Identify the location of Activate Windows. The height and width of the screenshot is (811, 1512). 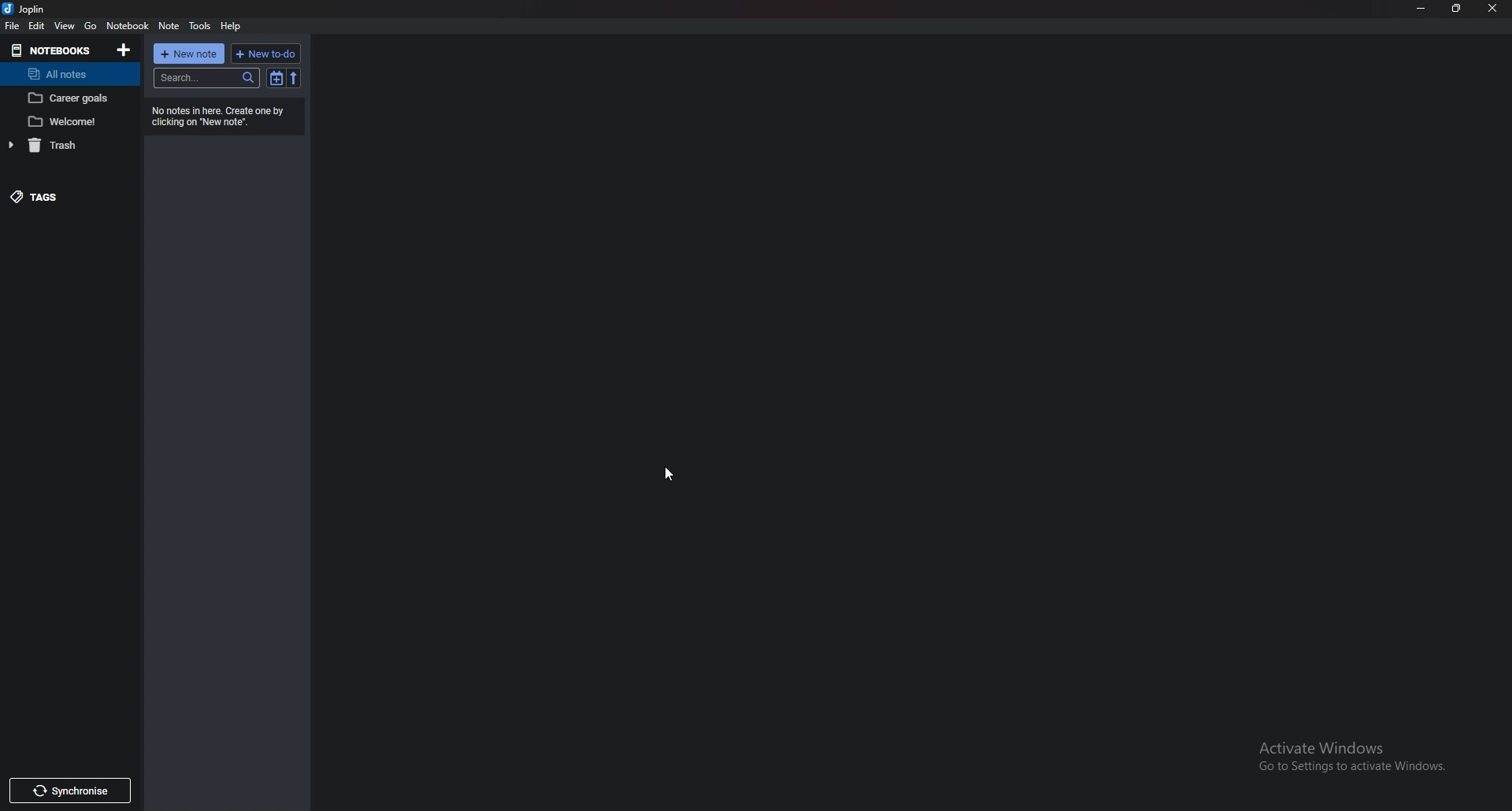
(1354, 759).